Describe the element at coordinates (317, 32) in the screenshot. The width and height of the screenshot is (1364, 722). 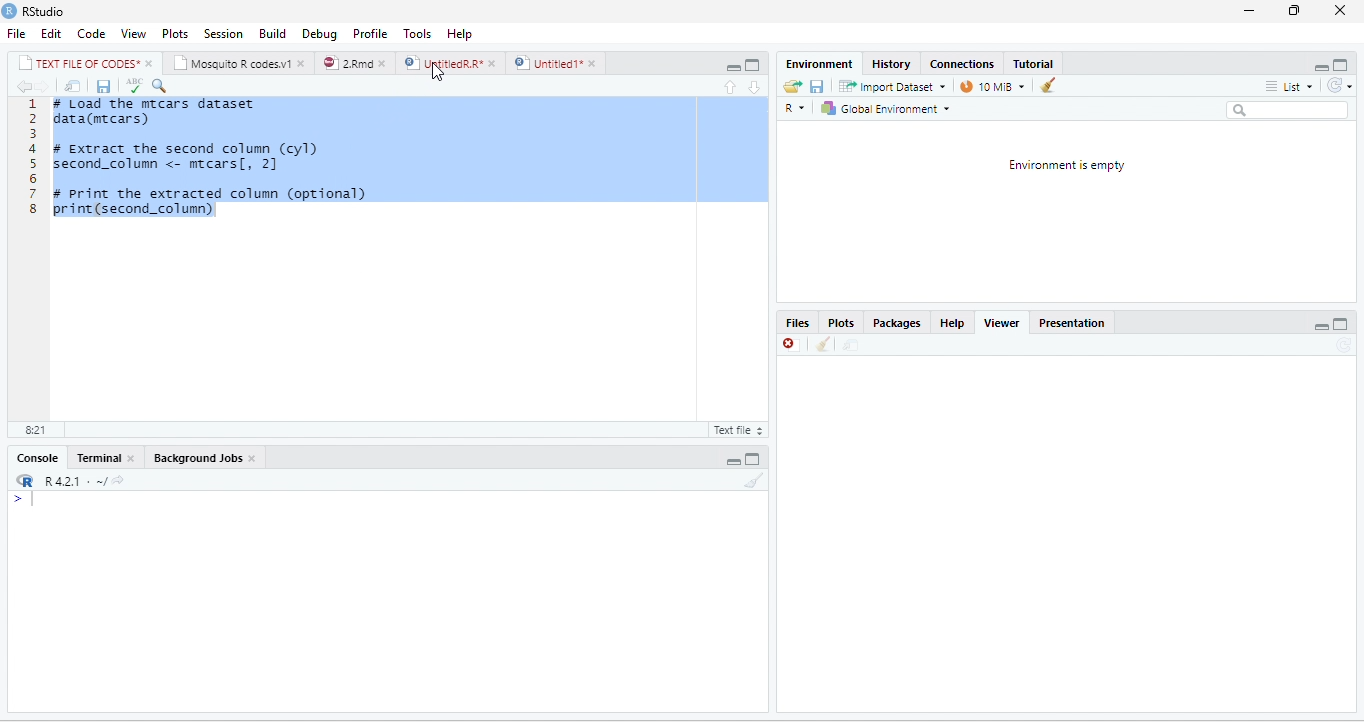
I see `Debug` at that location.